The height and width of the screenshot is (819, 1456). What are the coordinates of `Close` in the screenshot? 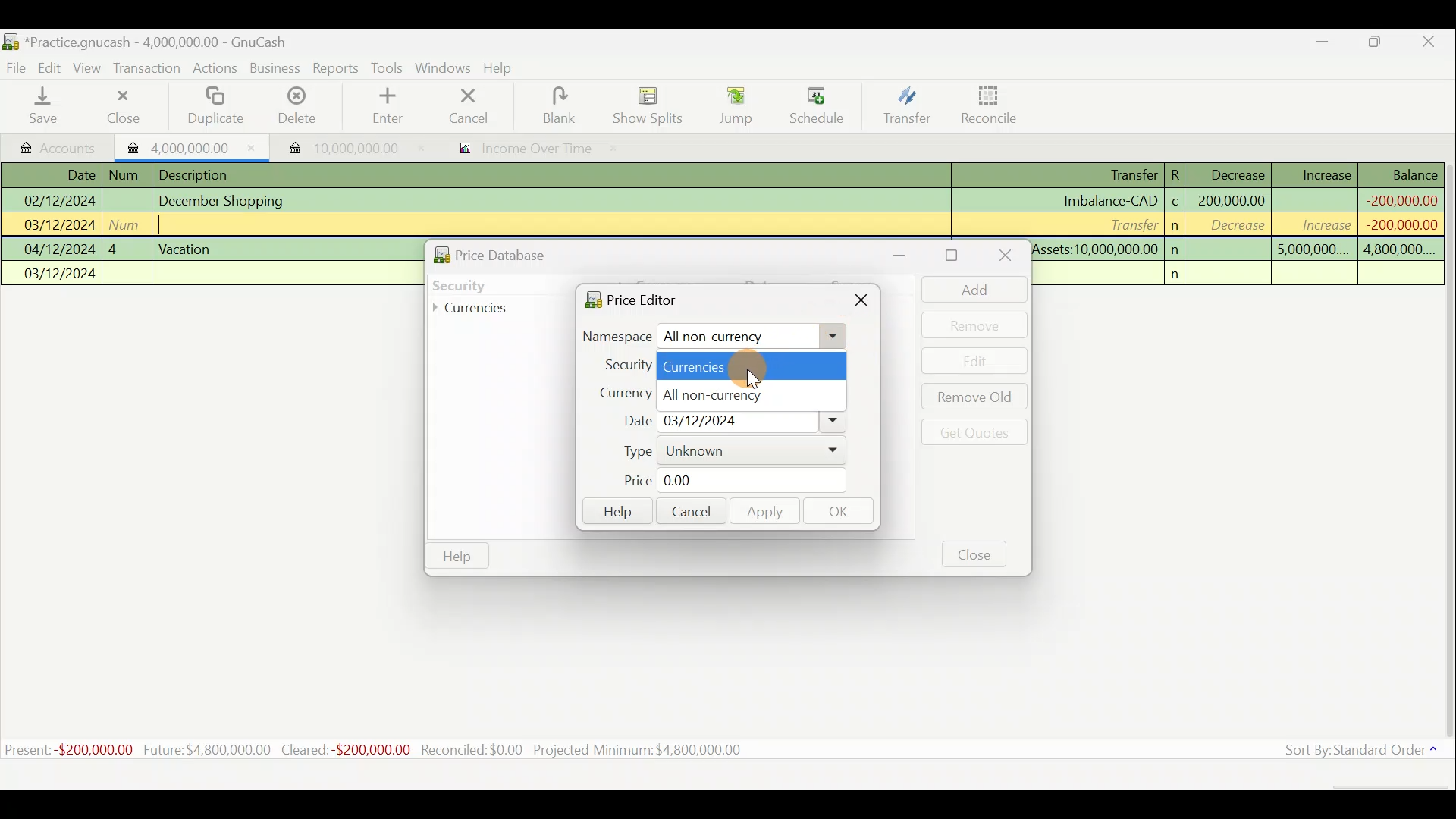 It's located at (975, 554).